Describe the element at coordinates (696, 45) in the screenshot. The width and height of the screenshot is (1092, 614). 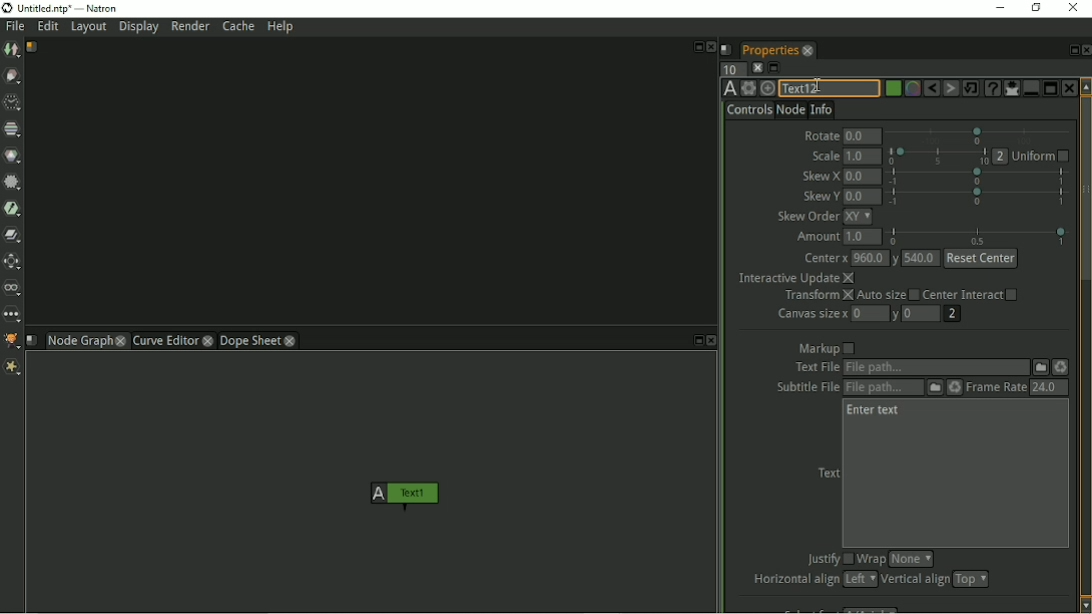
I see `Float pane` at that location.